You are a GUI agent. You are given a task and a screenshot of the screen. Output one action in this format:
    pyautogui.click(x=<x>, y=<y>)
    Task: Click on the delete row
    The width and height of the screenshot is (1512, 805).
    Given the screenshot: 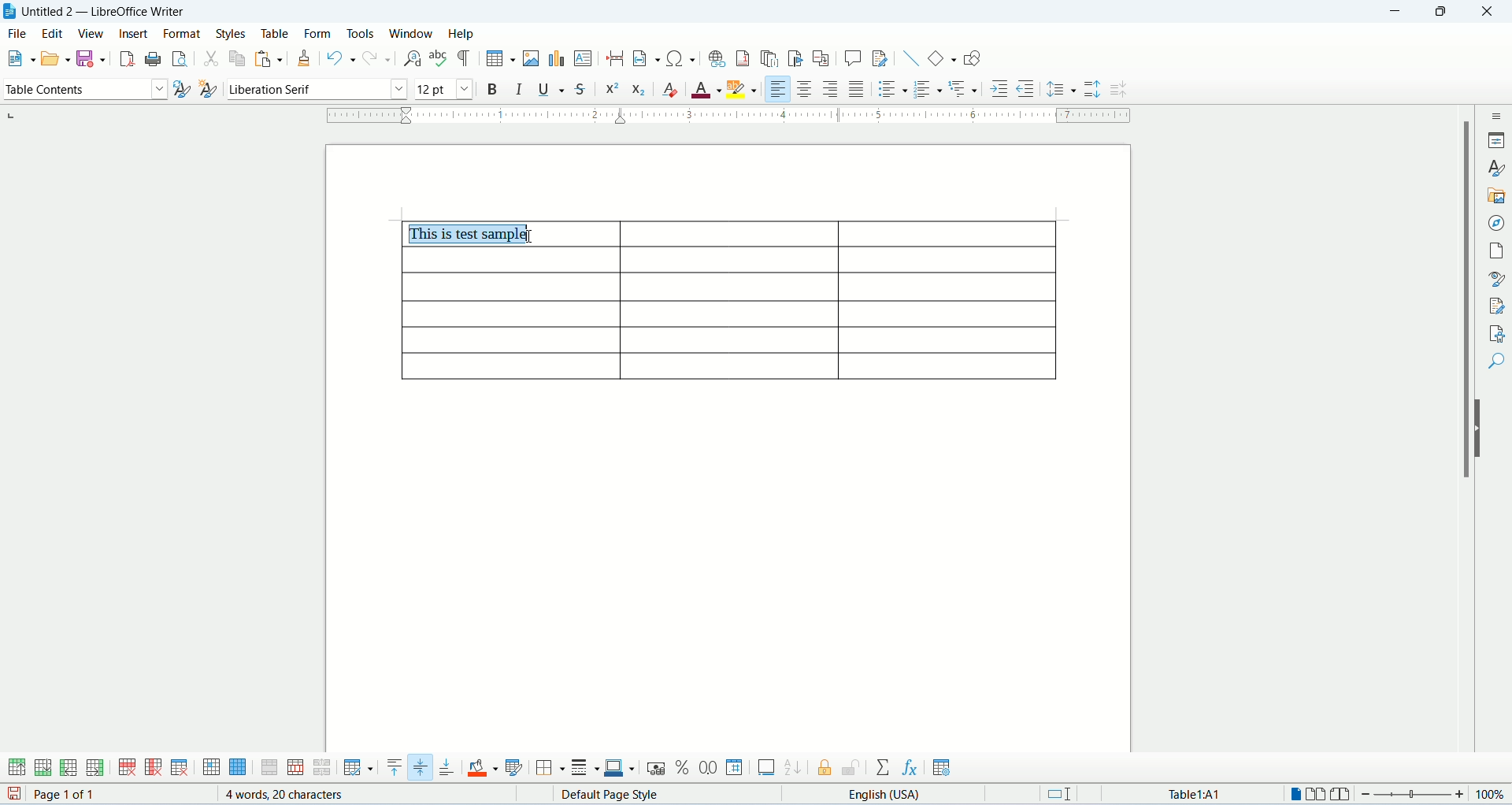 What is the action you would take?
    pyautogui.click(x=129, y=769)
    